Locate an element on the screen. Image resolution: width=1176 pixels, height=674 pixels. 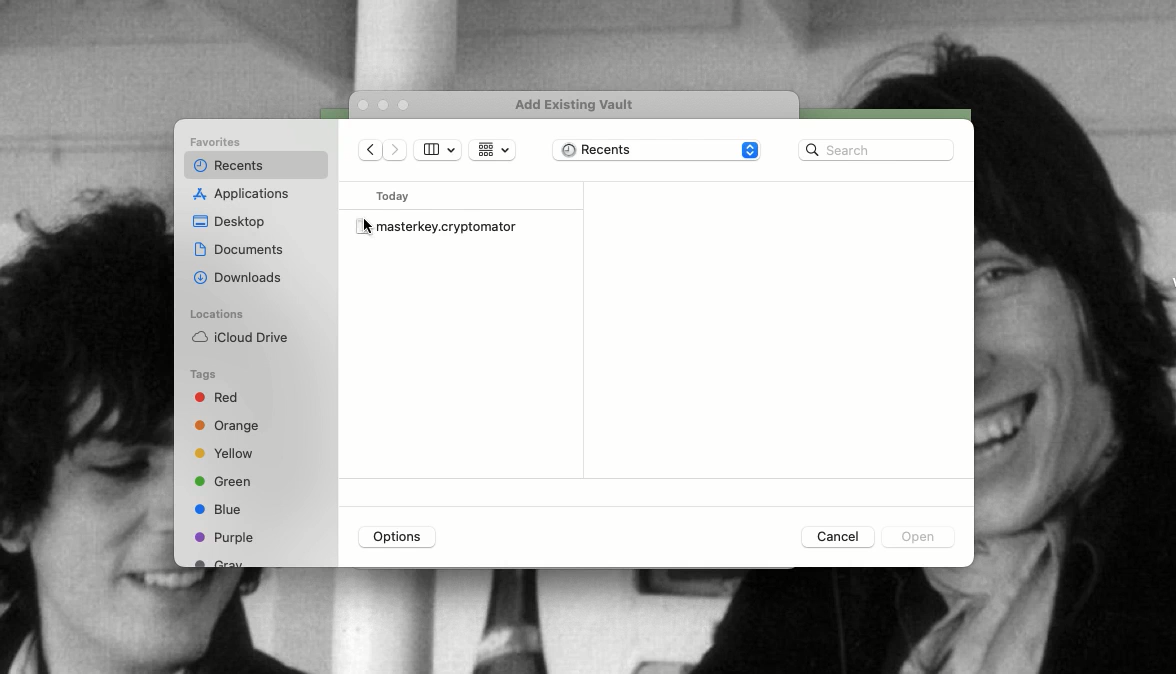
Open is located at coordinates (915, 539).